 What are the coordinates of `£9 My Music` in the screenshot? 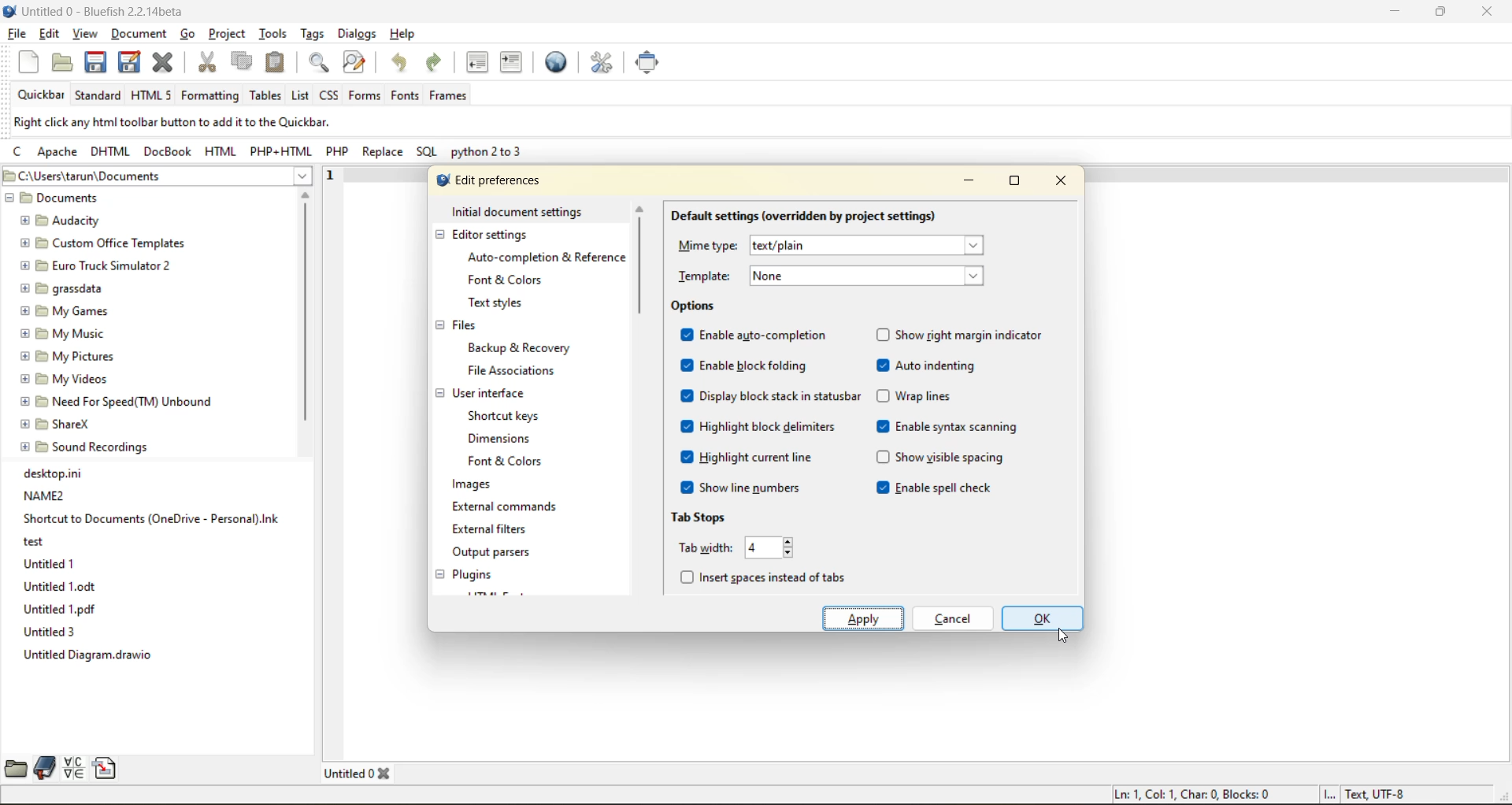 It's located at (62, 333).